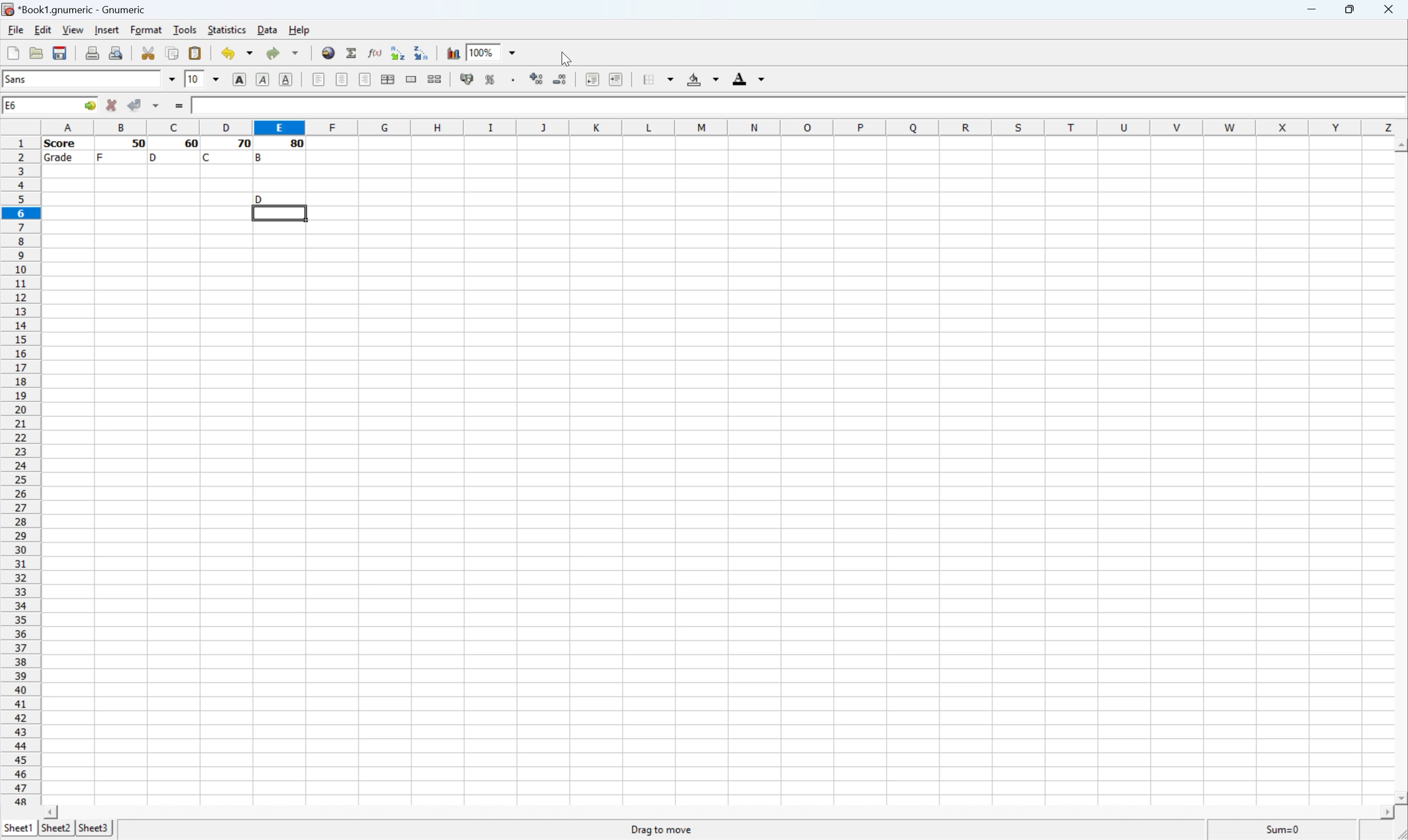  Describe the element at coordinates (173, 55) in the screenshot. I see `Copy the selection` at that location.